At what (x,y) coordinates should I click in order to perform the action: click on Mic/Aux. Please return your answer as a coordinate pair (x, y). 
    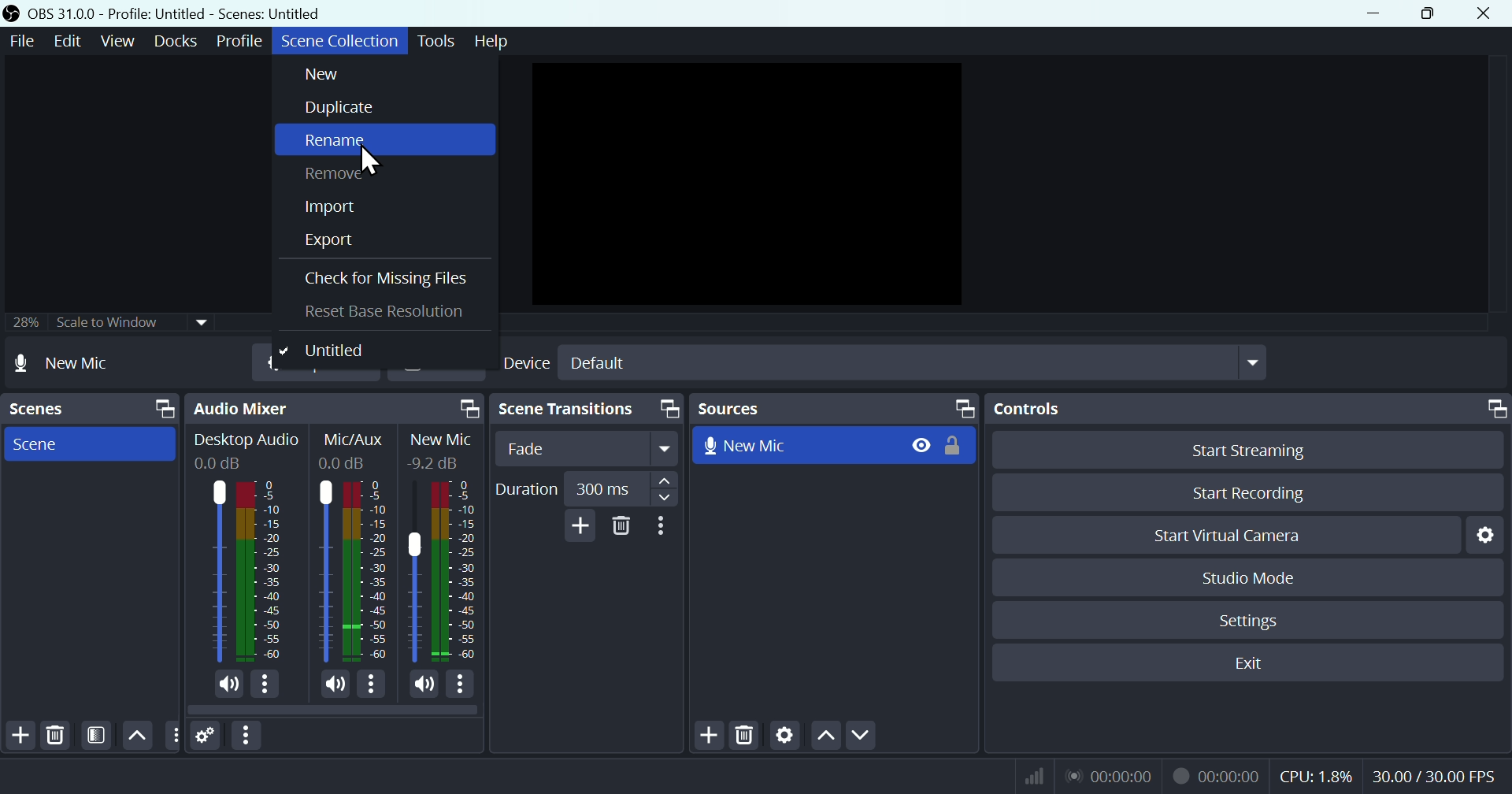
    Looking at the image, I should click on (367, 572).